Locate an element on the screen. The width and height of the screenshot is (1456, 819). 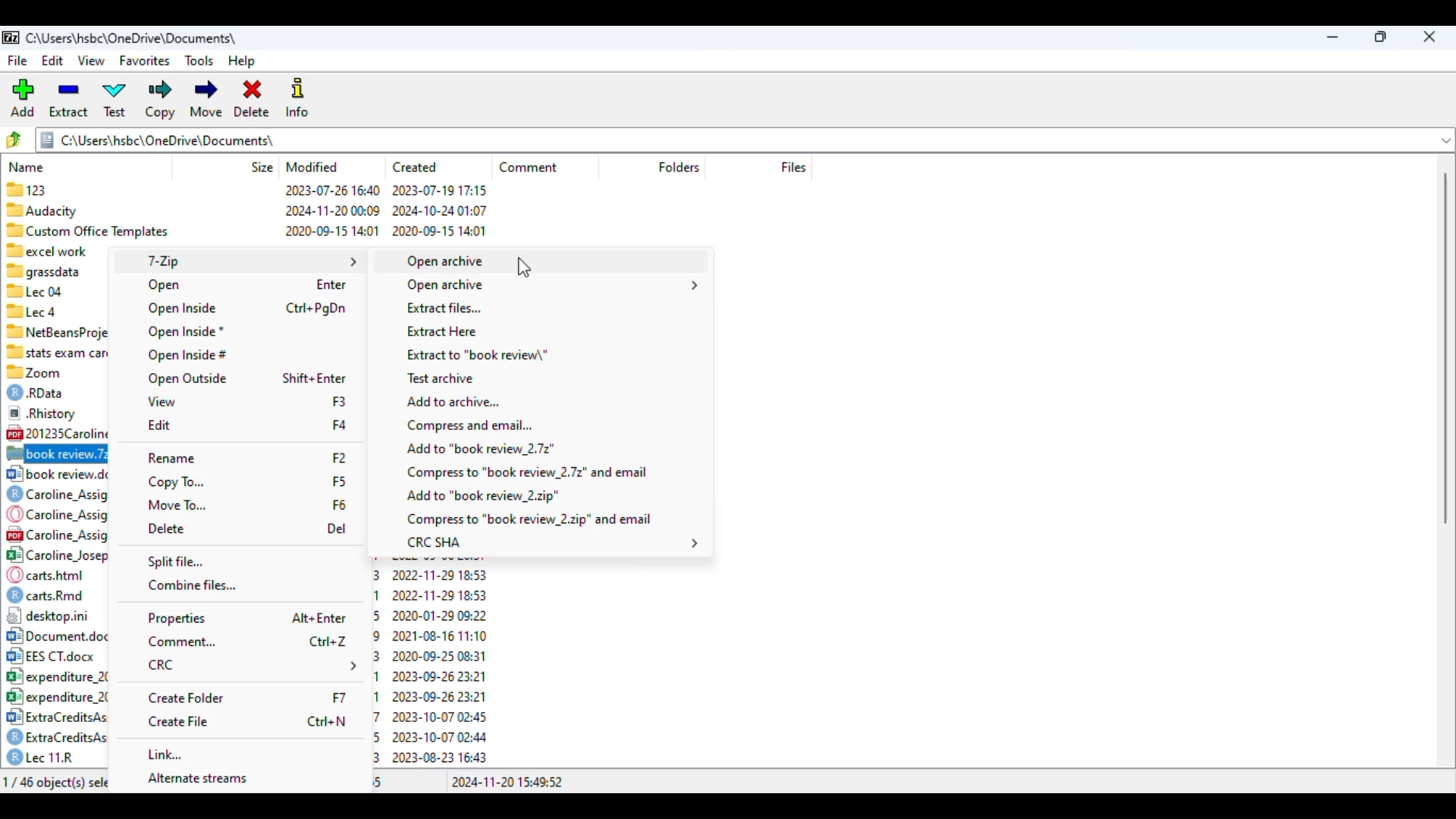
shortcut for rename is located at coordinates (338, 460).